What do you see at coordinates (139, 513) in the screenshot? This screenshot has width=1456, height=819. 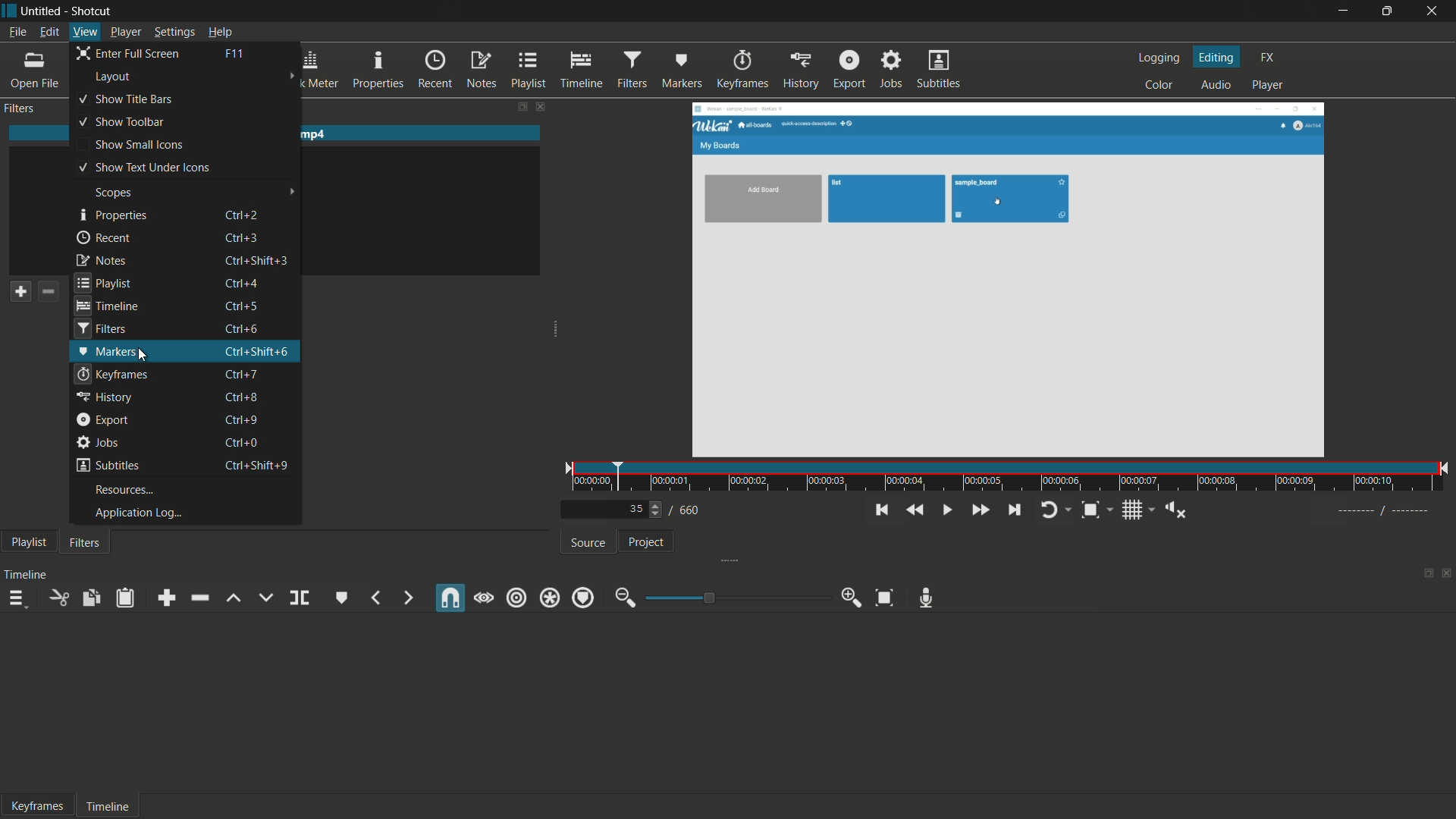 I see `application log` at bounding box center [139, 513].